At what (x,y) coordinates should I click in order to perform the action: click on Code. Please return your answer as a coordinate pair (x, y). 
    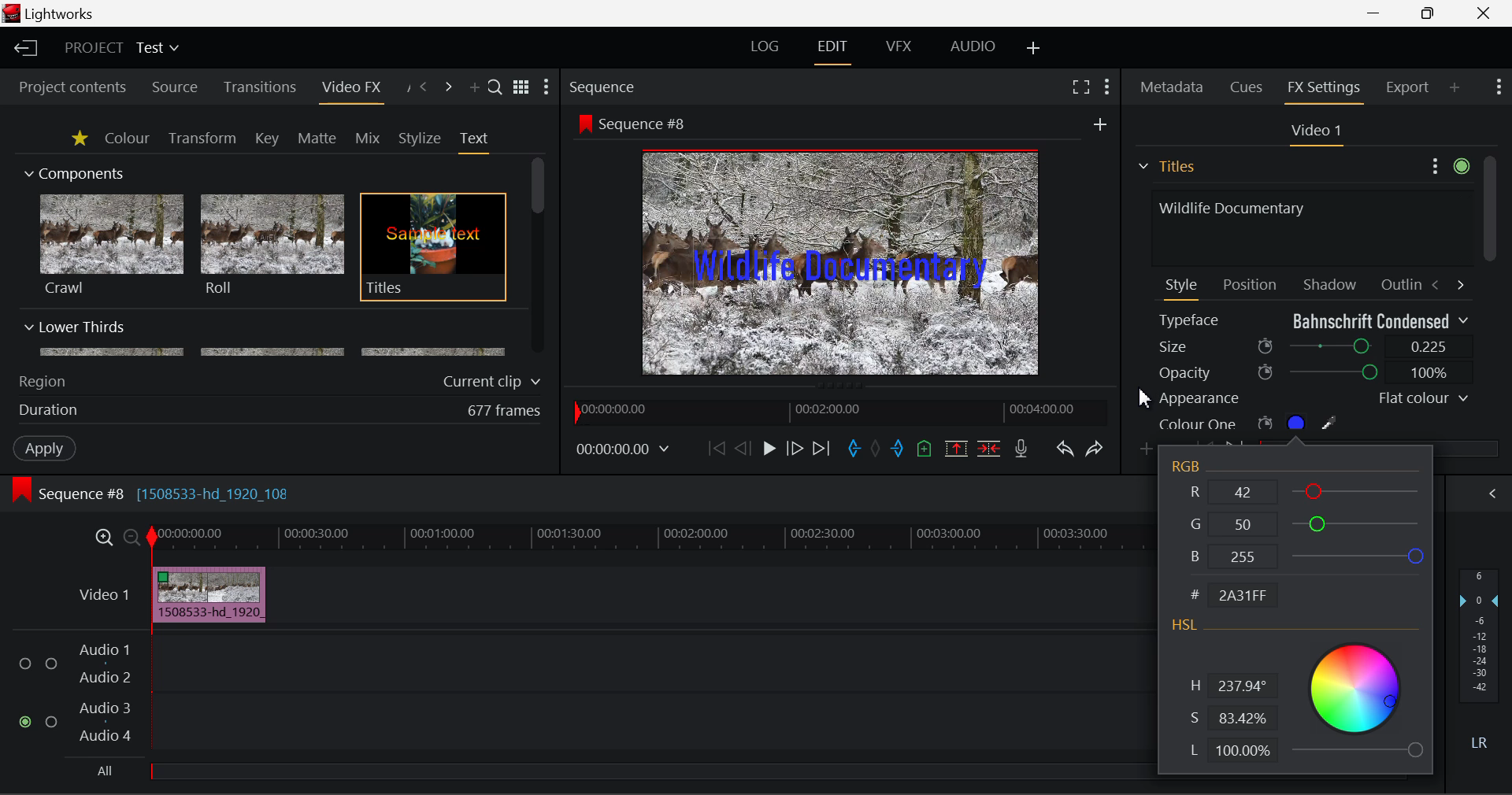
    Looking at the image, I should click on (1238, 597).